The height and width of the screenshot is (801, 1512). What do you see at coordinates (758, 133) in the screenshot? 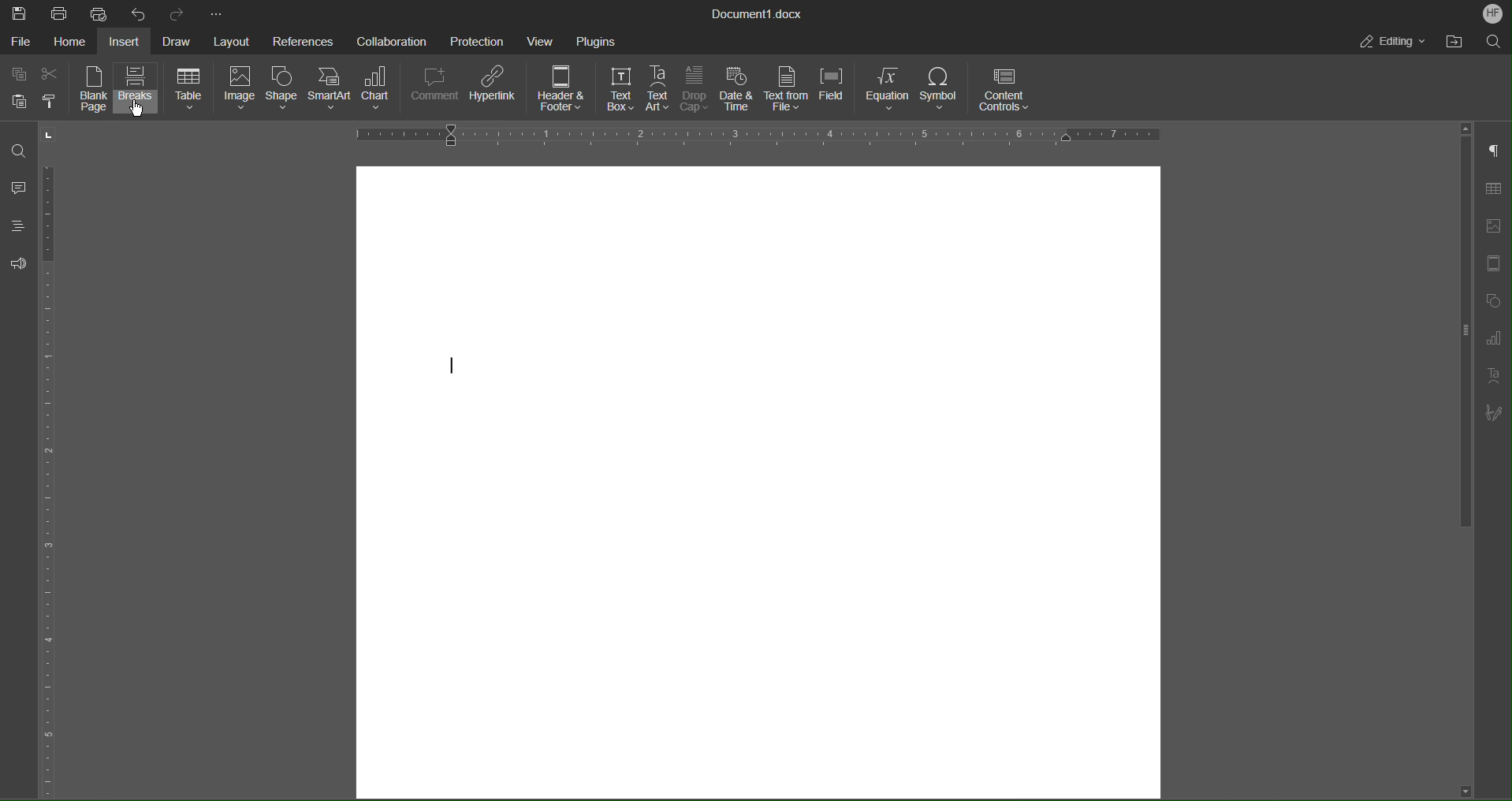
I see `Horizontal Ruler` at bounding box center [758, 133].